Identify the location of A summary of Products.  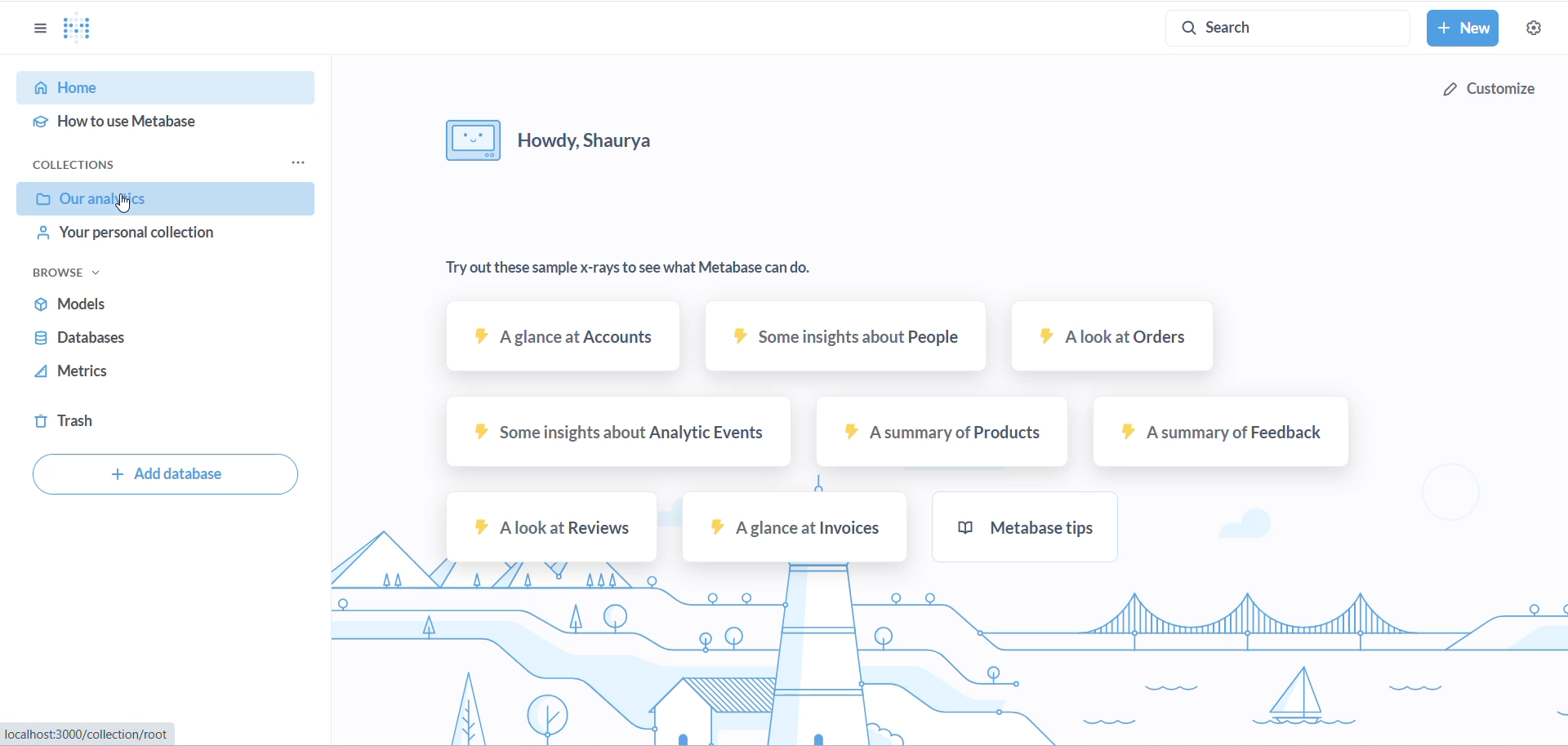
(947, 438).